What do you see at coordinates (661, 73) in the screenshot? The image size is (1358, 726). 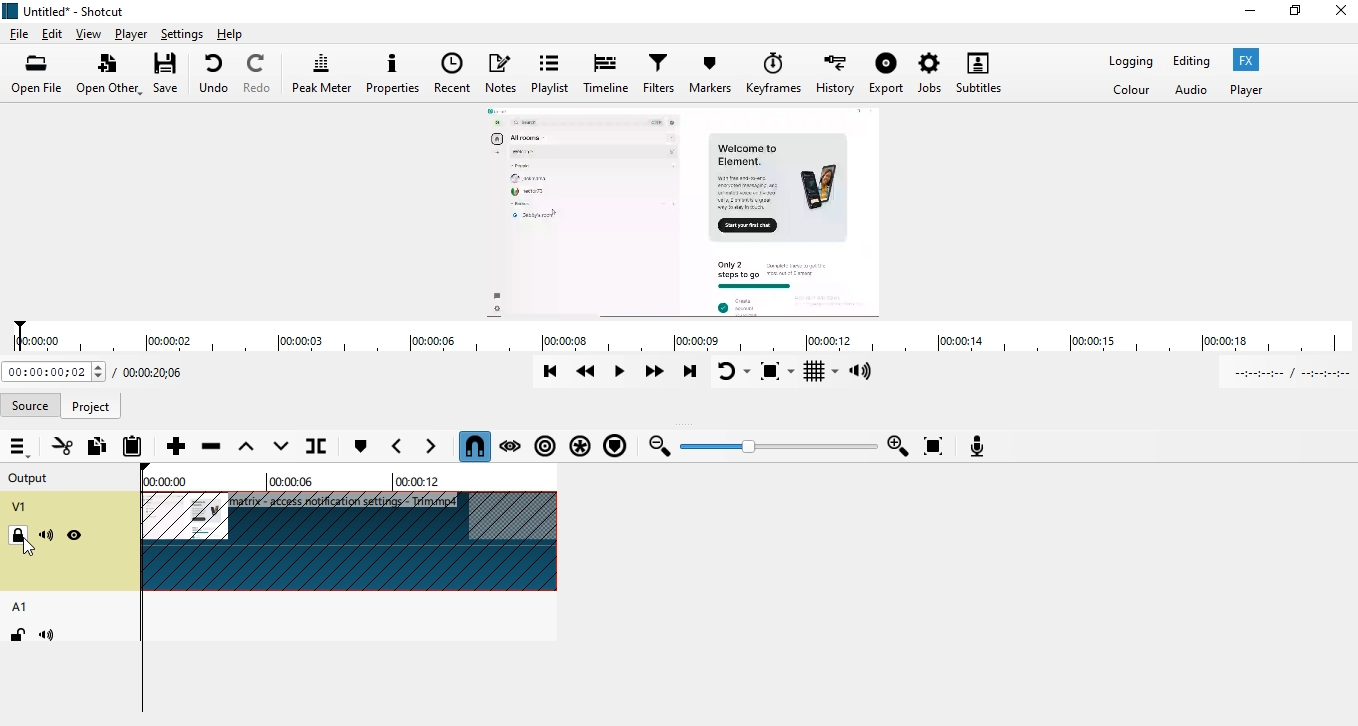 I see `filters` at bounding box center [661, 73].